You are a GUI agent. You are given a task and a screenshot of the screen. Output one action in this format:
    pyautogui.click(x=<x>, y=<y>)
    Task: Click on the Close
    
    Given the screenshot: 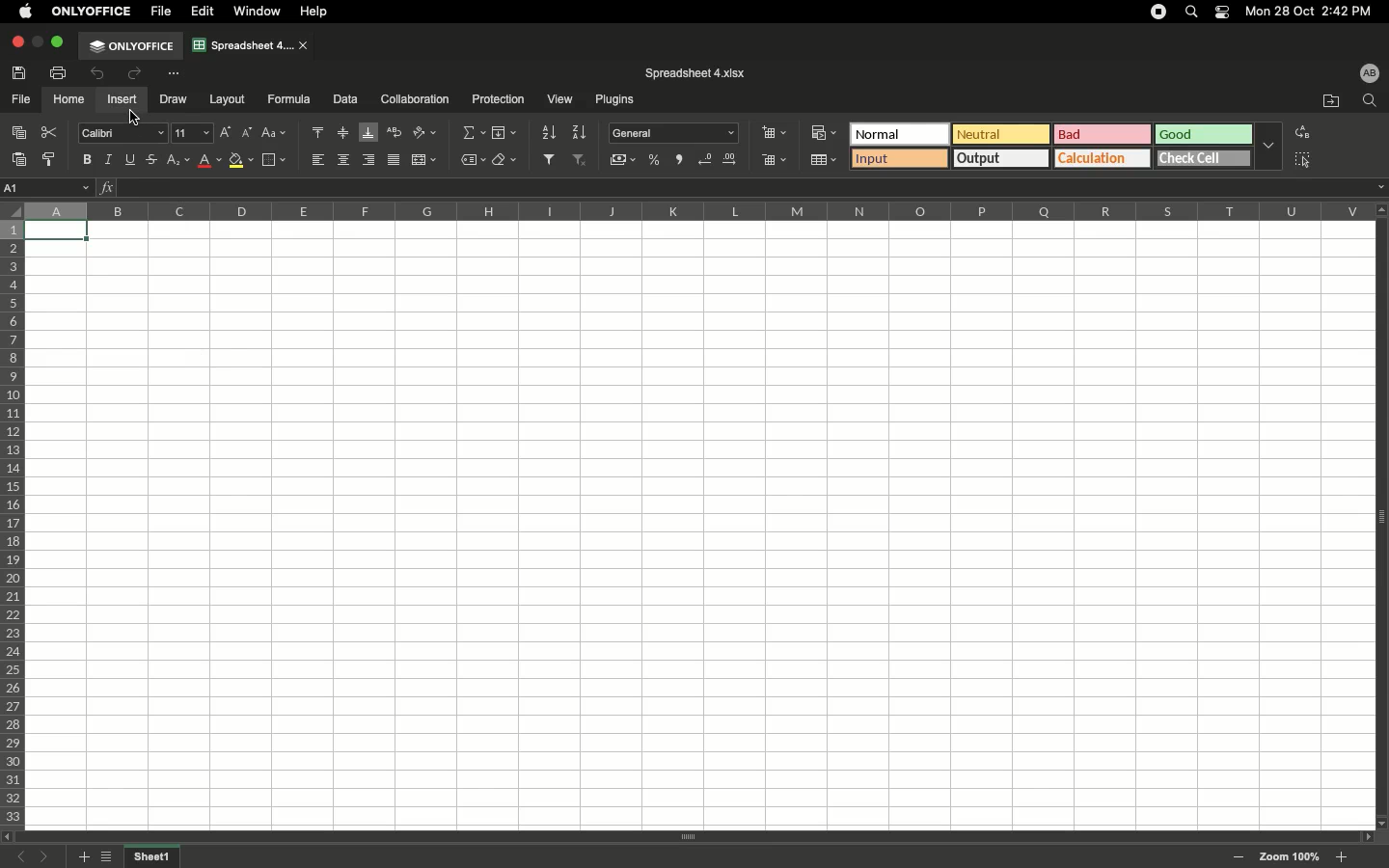 What is the action you would take?
    pyautogui.click(x=16, y=42)
    